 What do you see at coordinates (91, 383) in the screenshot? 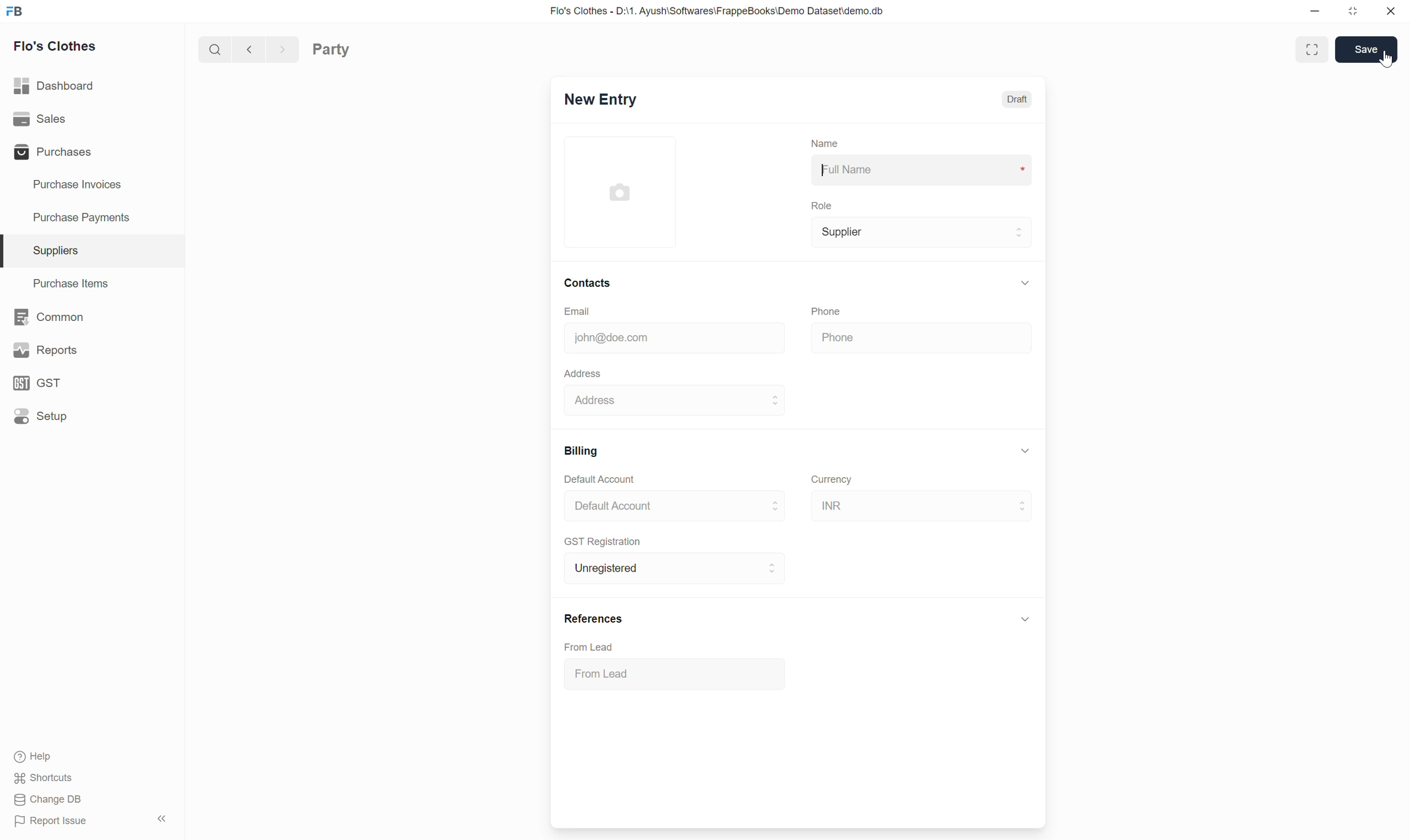
I see `GST` at bounding box center [91, 383].